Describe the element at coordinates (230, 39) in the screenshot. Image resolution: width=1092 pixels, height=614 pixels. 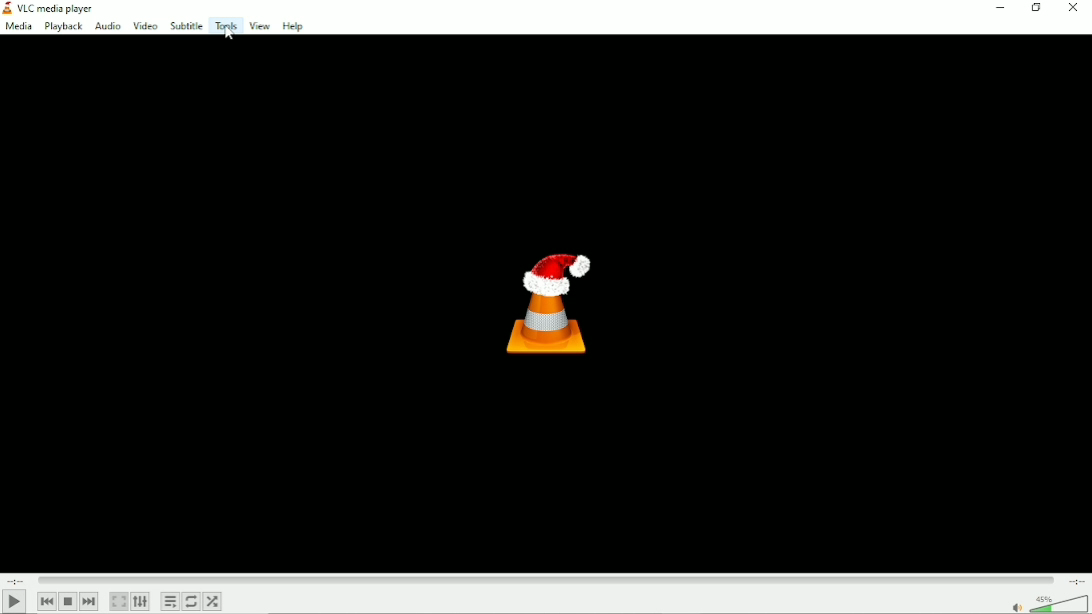
I see `Cursor` at that location.